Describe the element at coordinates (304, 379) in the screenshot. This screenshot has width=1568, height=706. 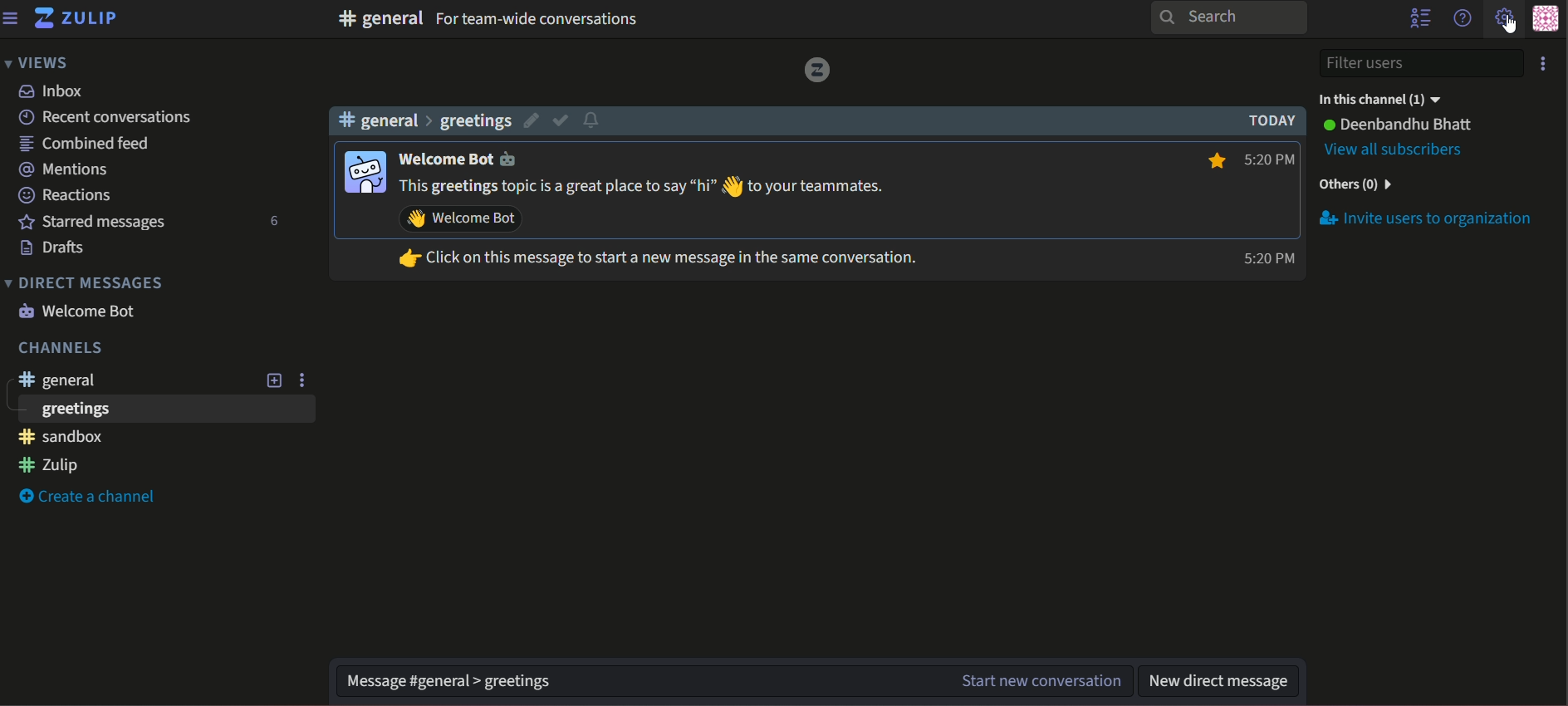
I see `options ` at that location.